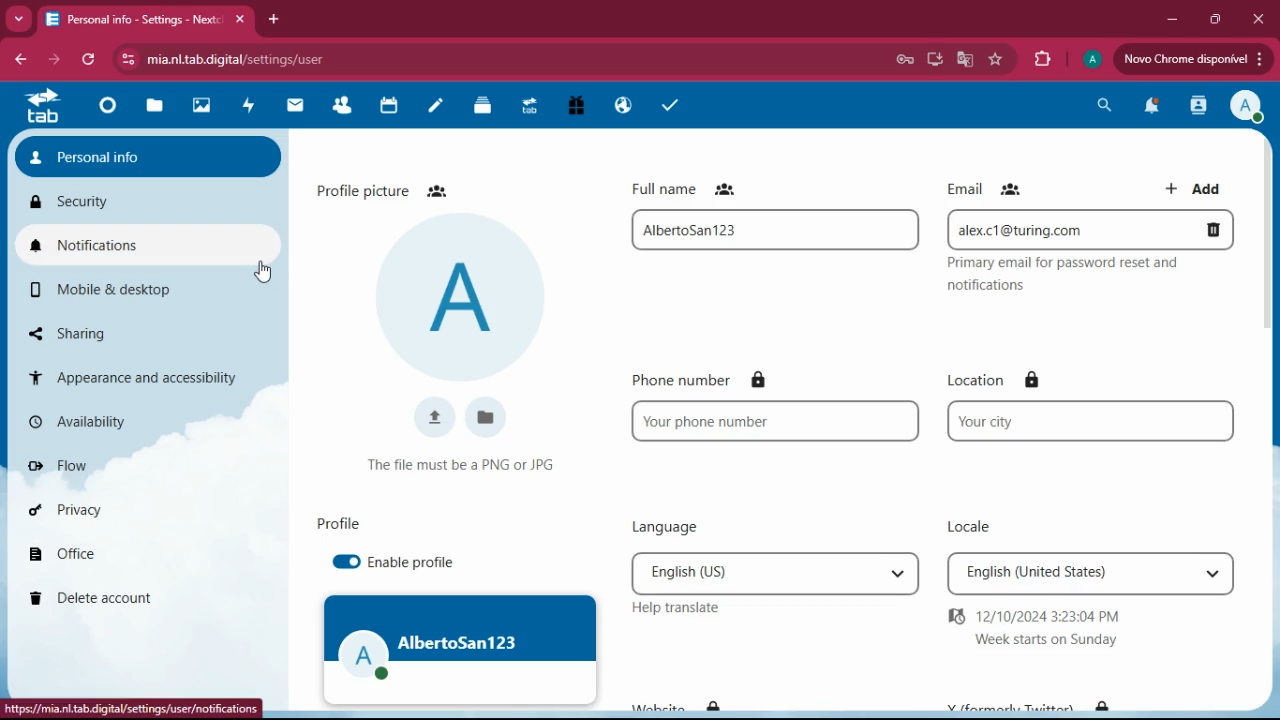 The height and width of the screenshot is (720, 1280). What do you see at coordinates (530, 109) in the screenshot?
I see `tab` at bounding box center [530, 109].